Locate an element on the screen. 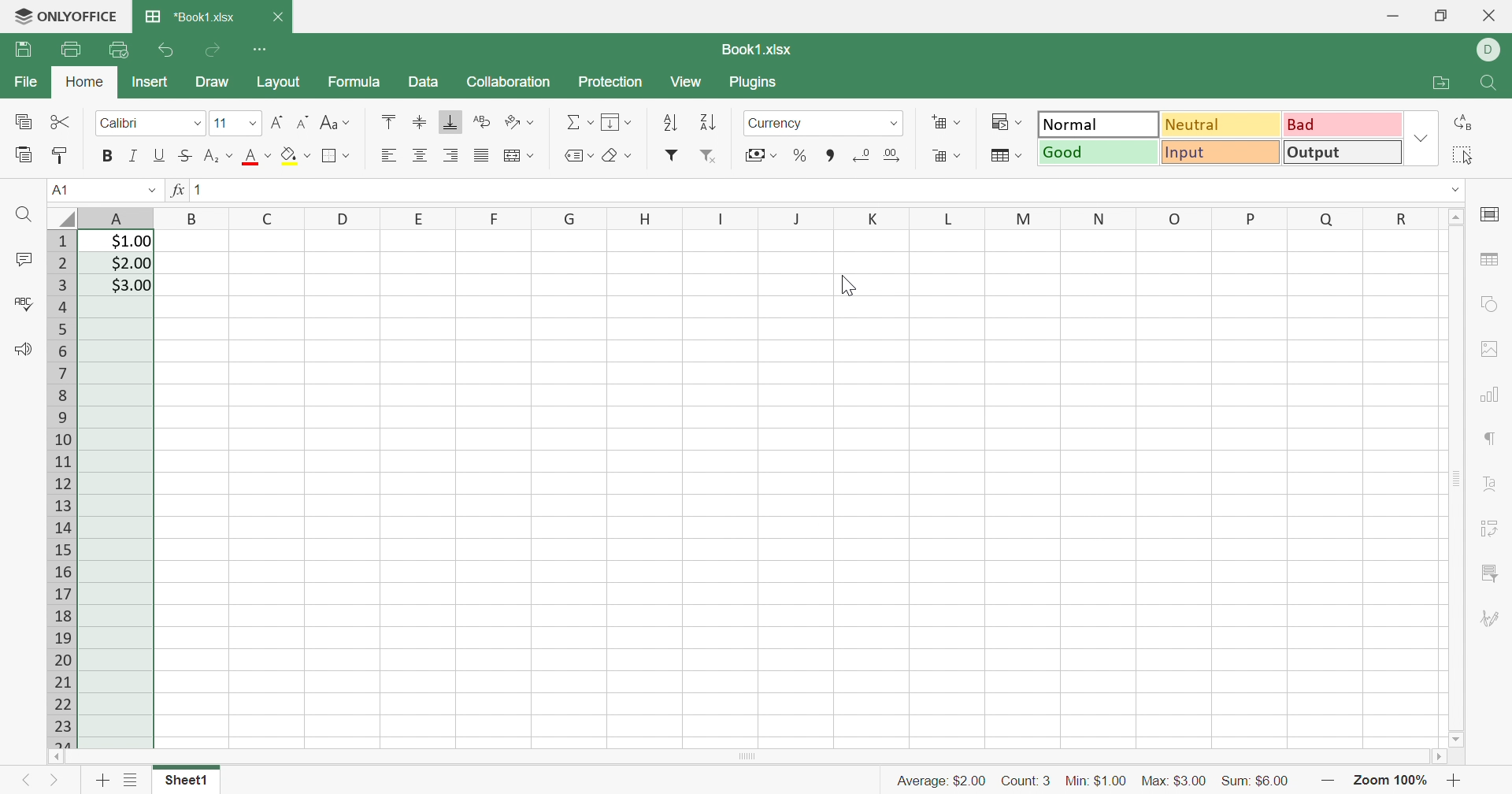  Scroll left is located at coordinates (56, 757).